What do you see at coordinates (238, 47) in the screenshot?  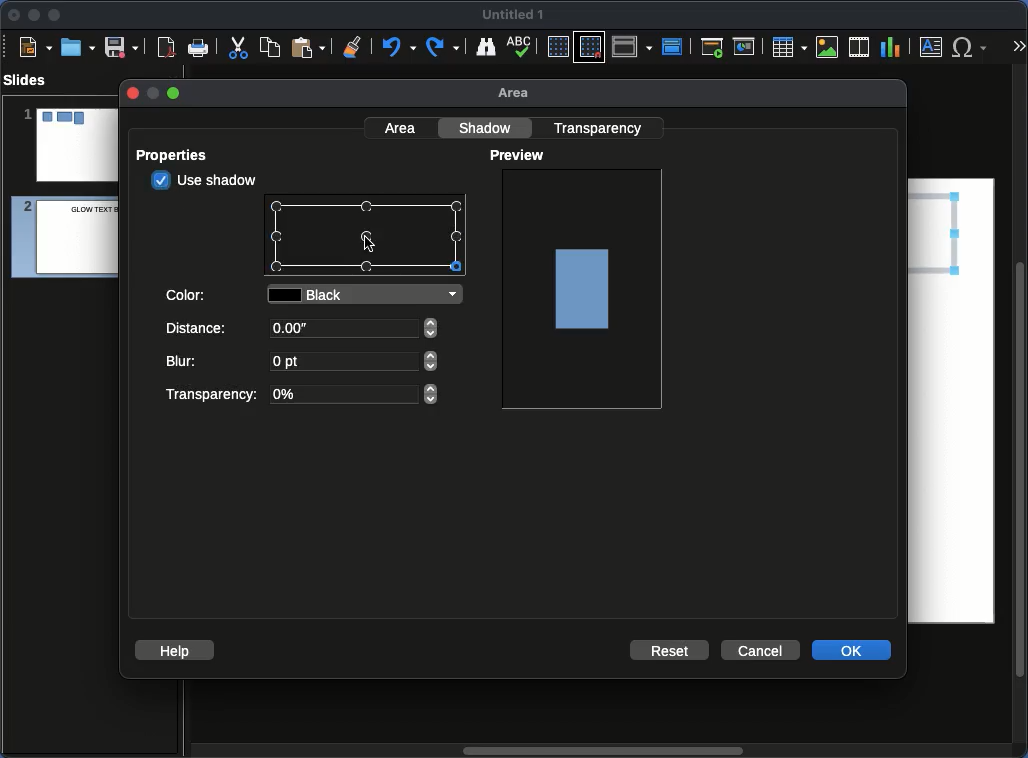 I see `Cut` at bounding box center [238, 47].